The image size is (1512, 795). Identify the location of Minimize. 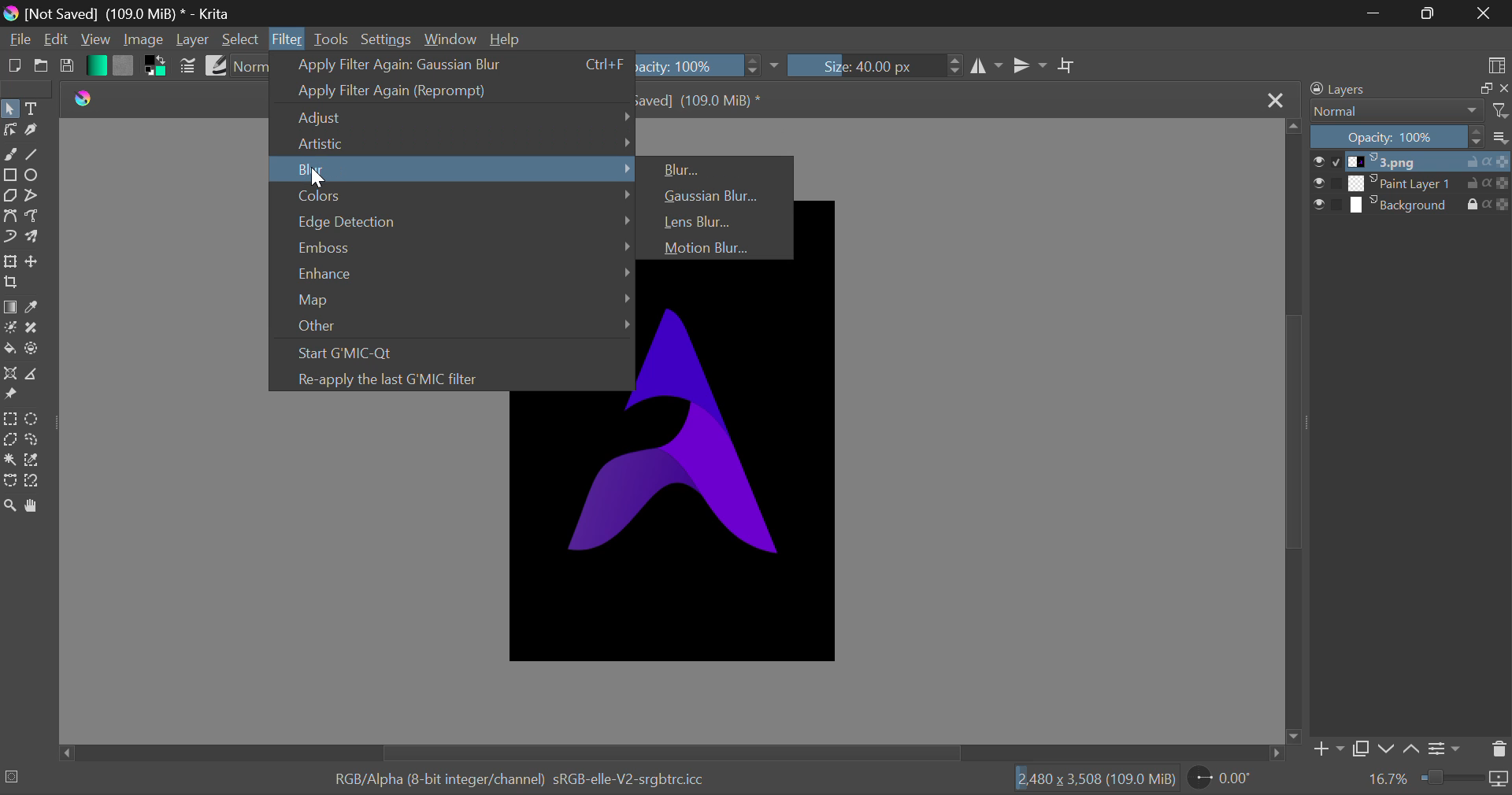
(1427, 13).